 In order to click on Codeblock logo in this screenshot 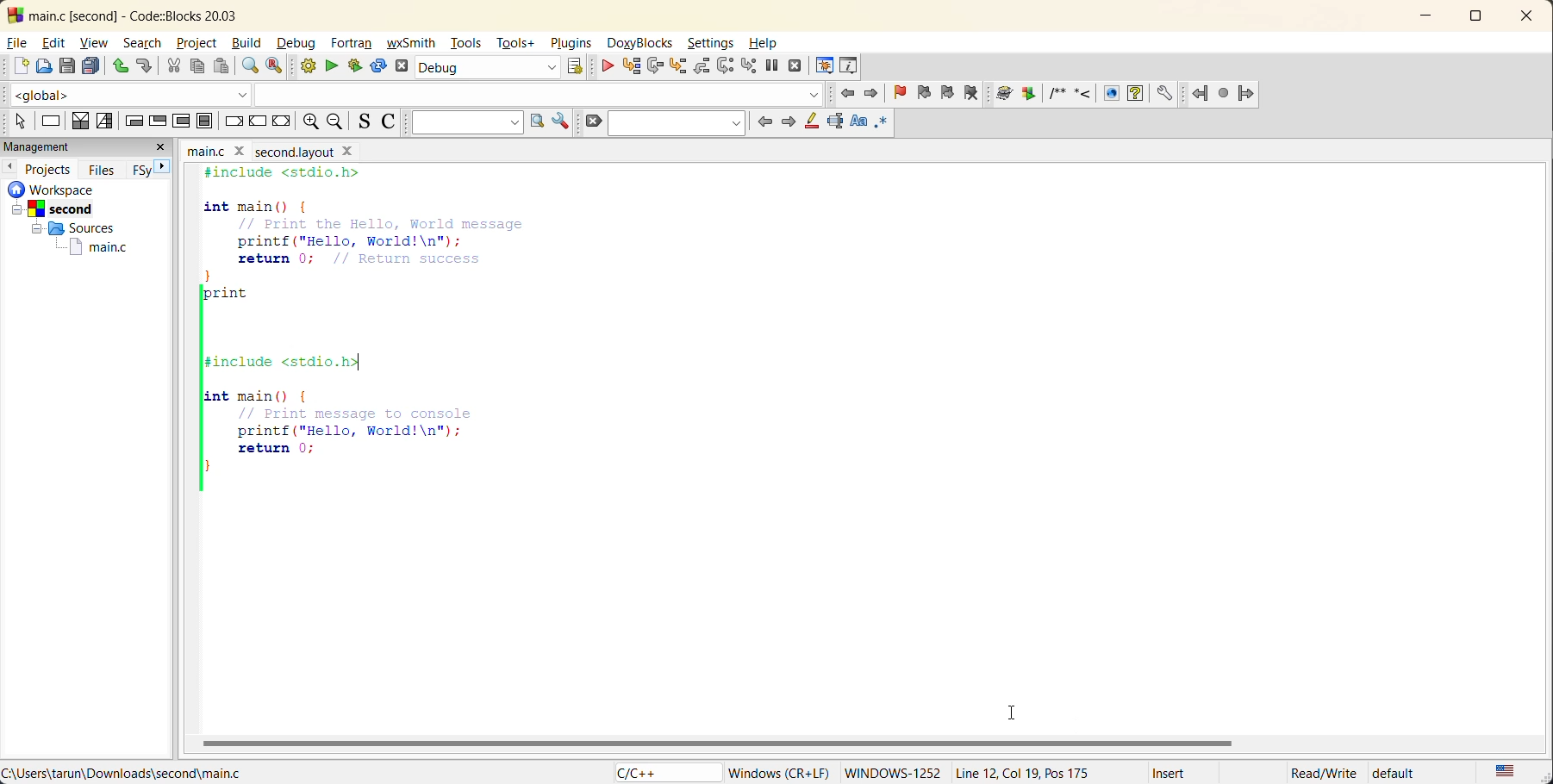, I will do `click(12, 14)`.